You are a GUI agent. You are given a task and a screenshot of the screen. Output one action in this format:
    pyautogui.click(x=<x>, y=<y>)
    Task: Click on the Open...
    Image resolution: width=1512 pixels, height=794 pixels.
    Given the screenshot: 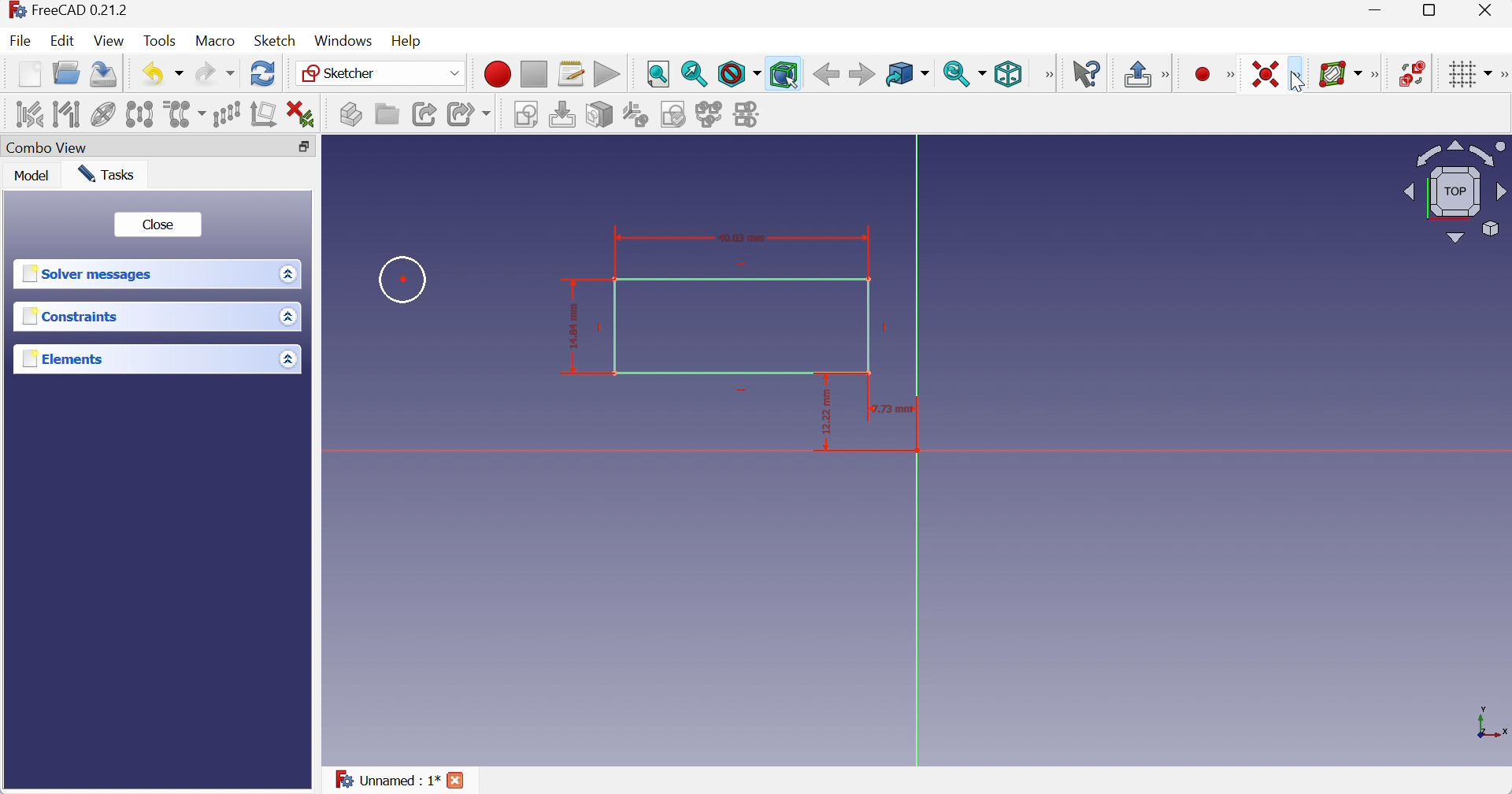 What is the action you would take?
    pyautogui.click(x=66, y=72)
    